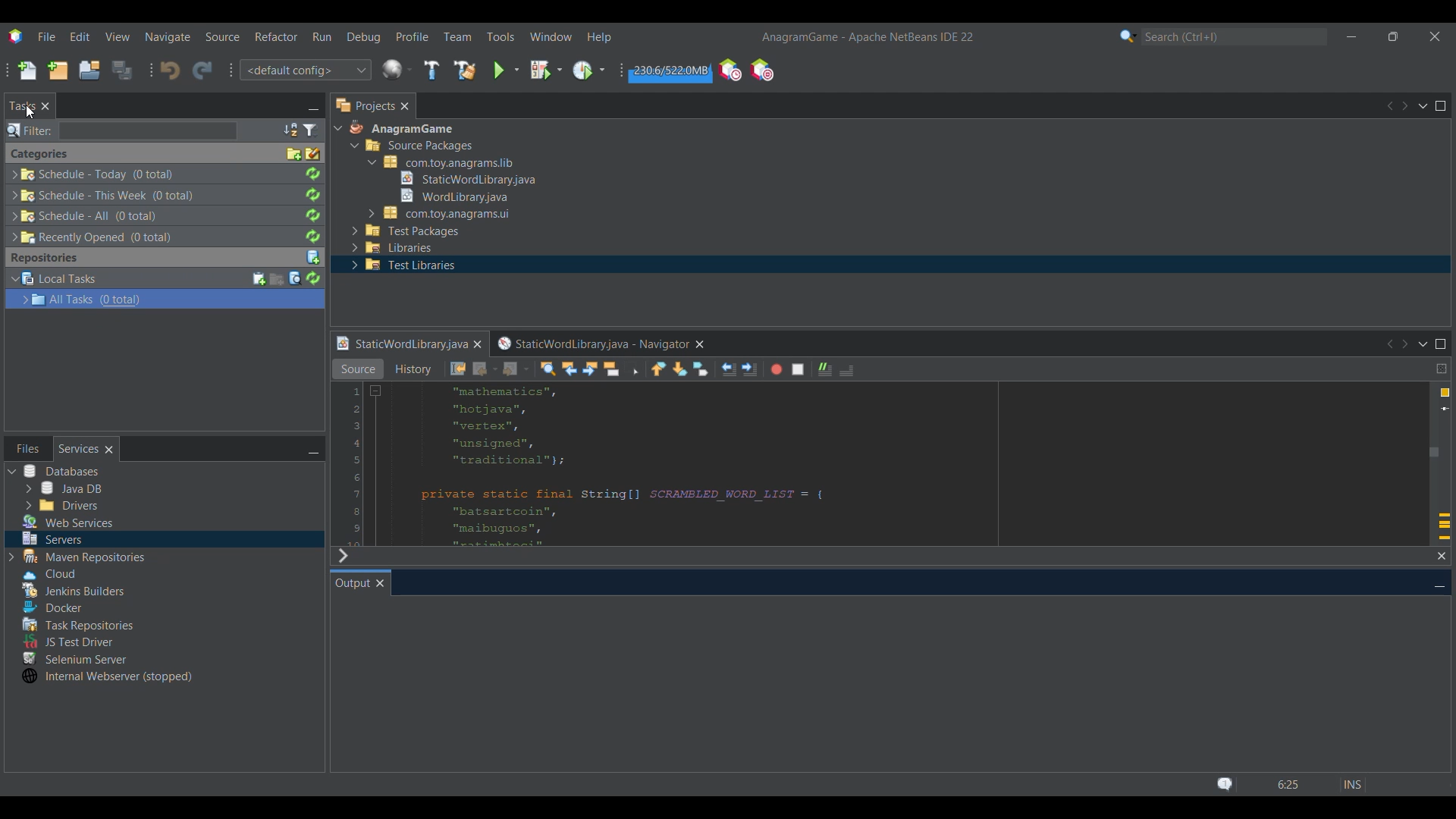 The height and width of the screenshot is (819, 1456). I want to click on Forward, so click(516, 369).